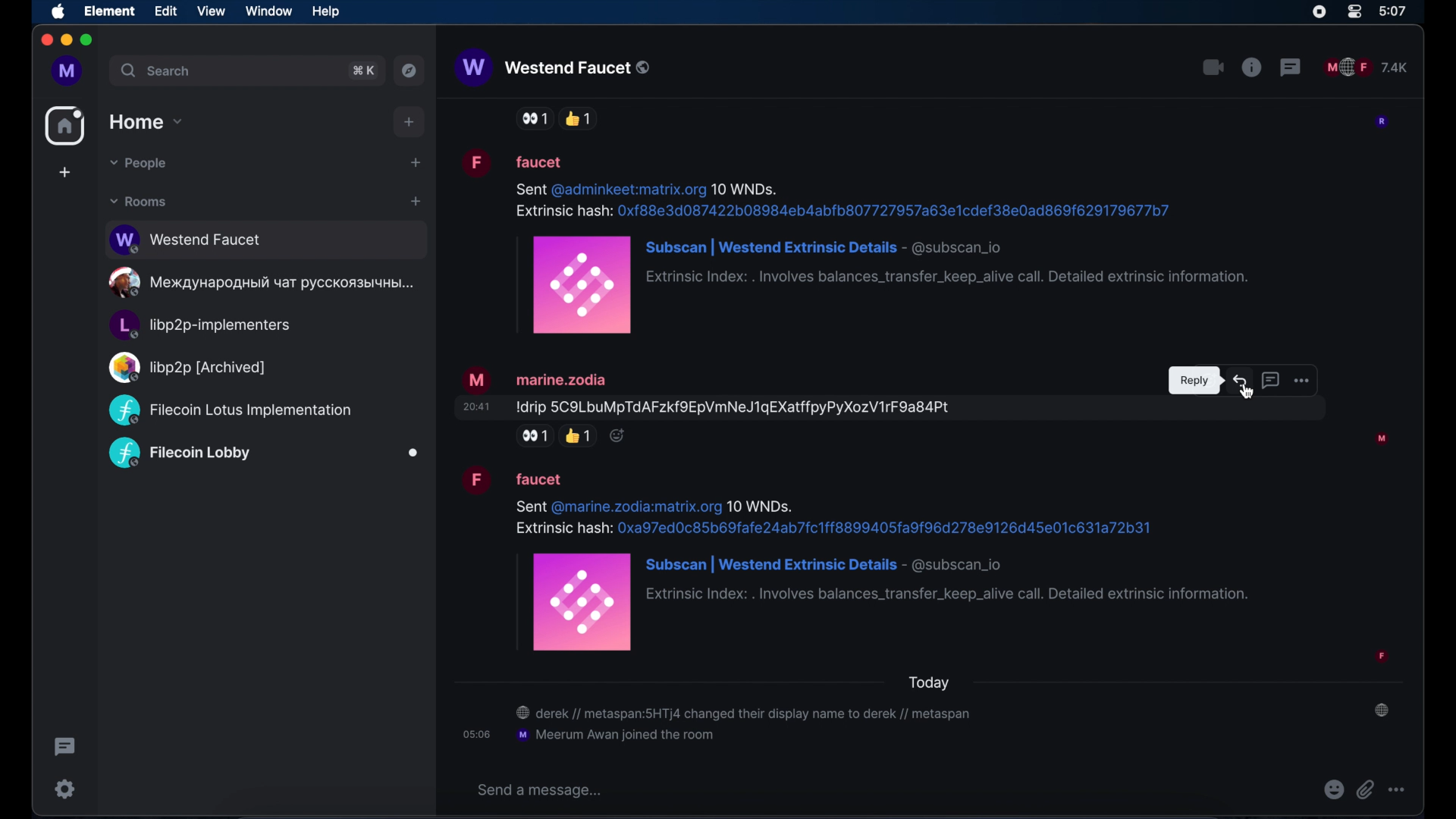  I want to click on search shortcut, so click(363, 71).